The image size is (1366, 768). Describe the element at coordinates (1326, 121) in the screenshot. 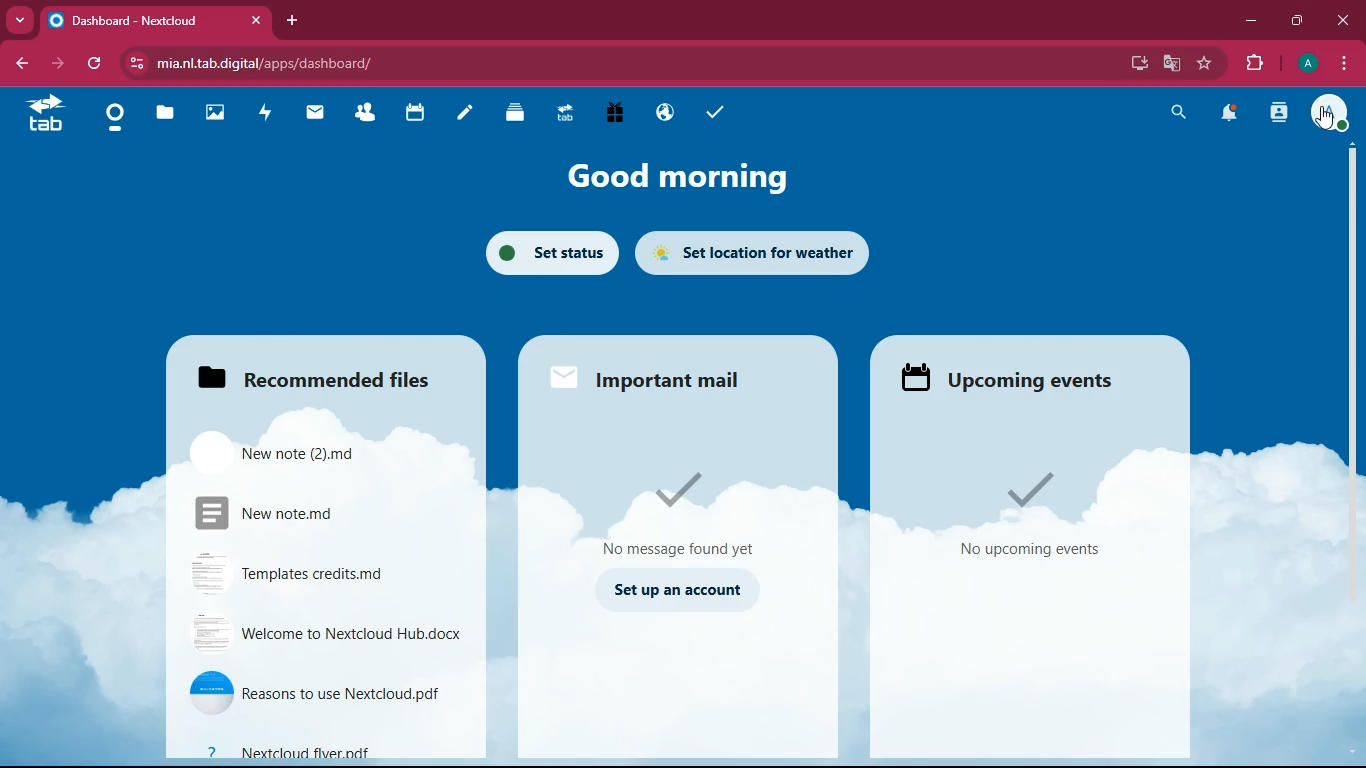

I see `cursor` at that location.